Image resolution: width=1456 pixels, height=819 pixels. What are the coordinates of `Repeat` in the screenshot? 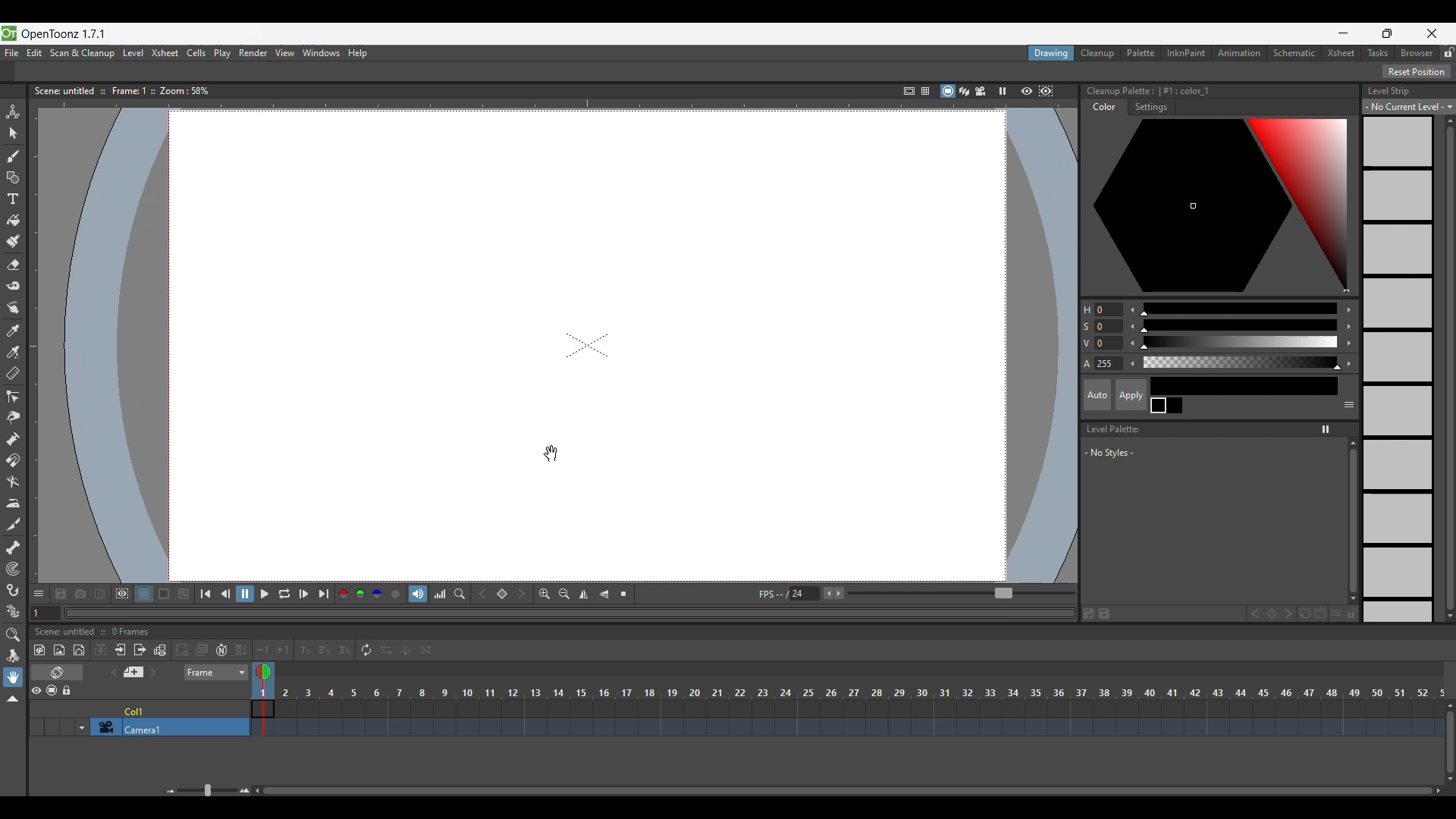 It's located at (366, 650).